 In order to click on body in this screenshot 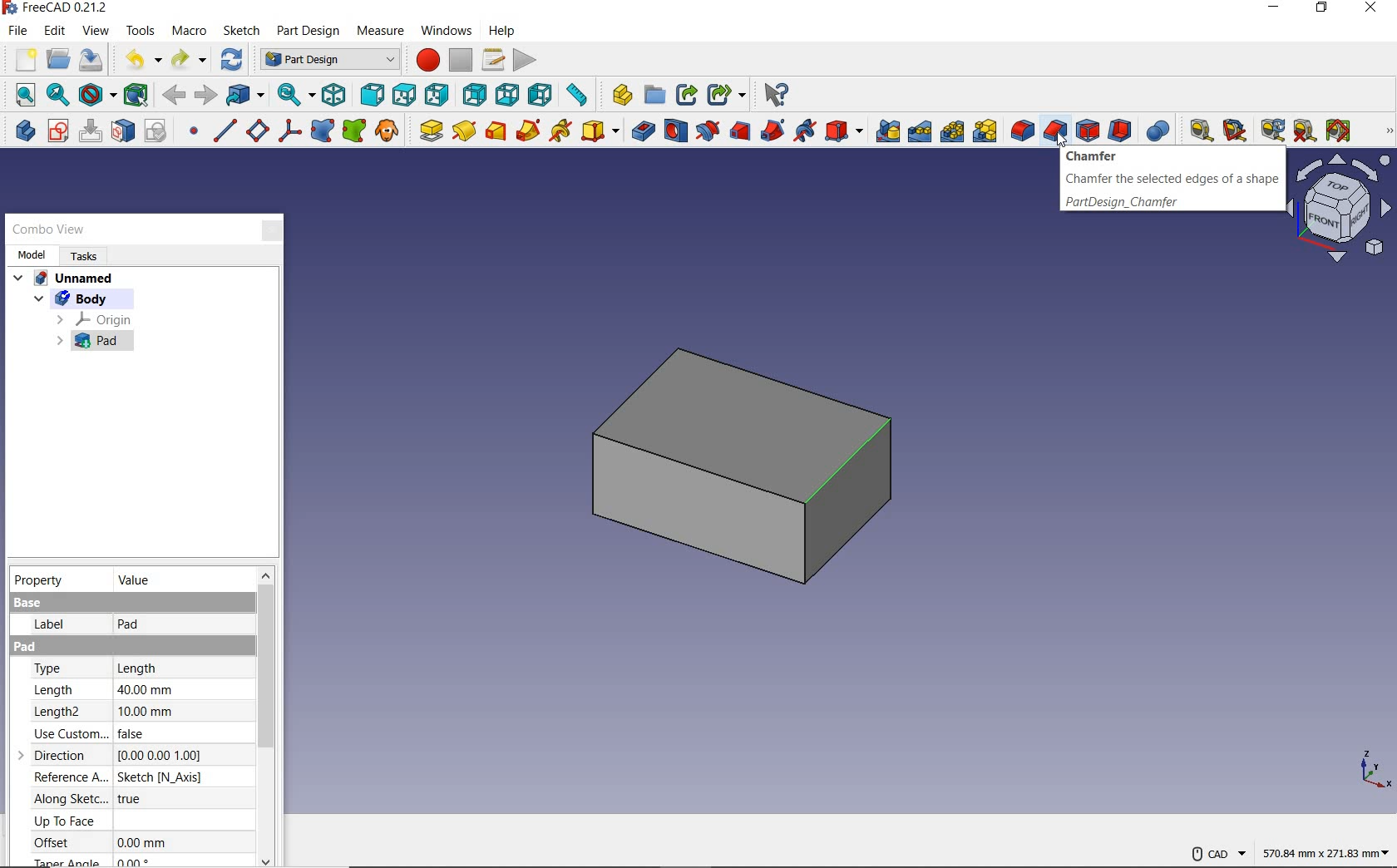, I will do `click(90, 298)`.